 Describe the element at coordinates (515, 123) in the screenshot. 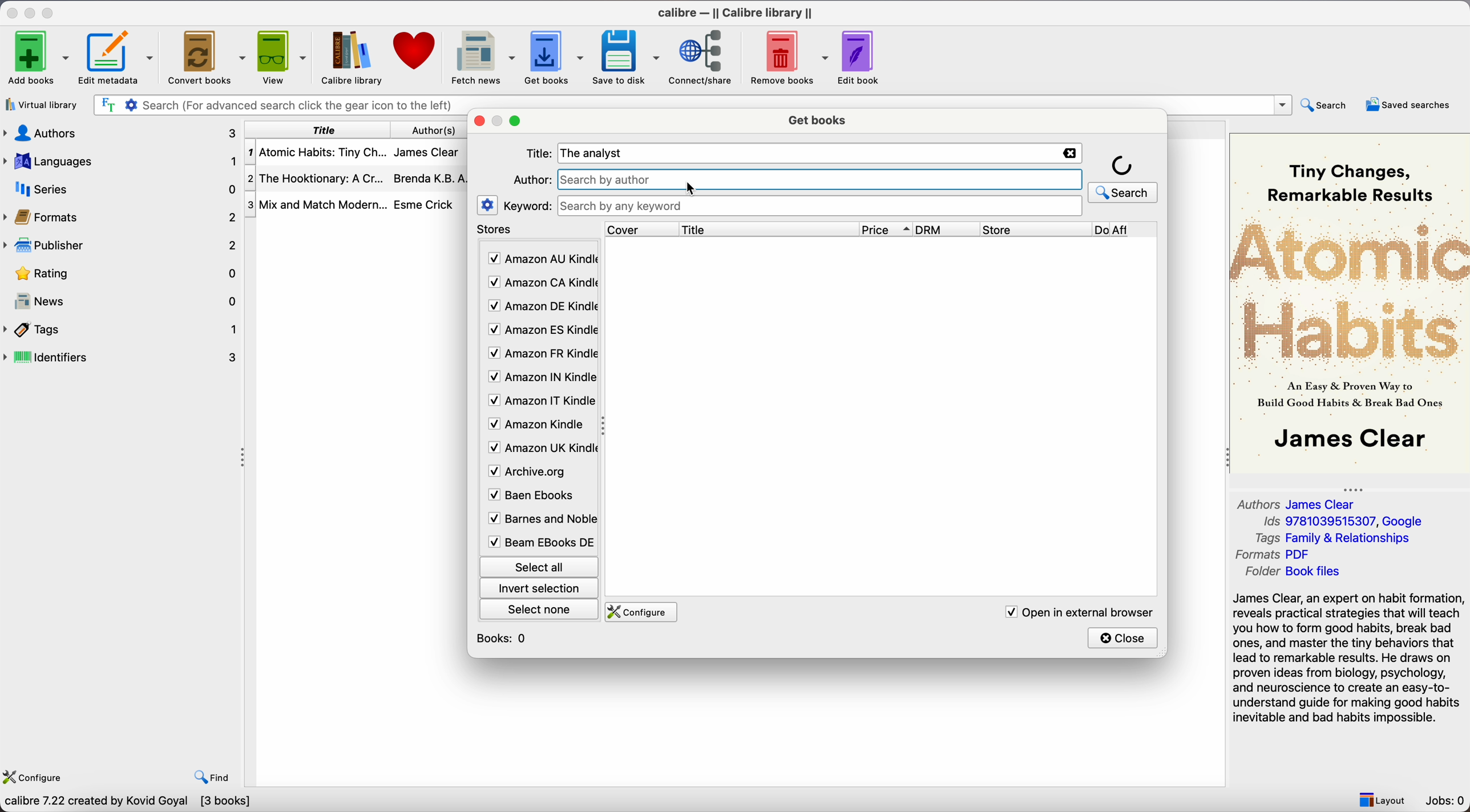

I see `maximize` at that location.